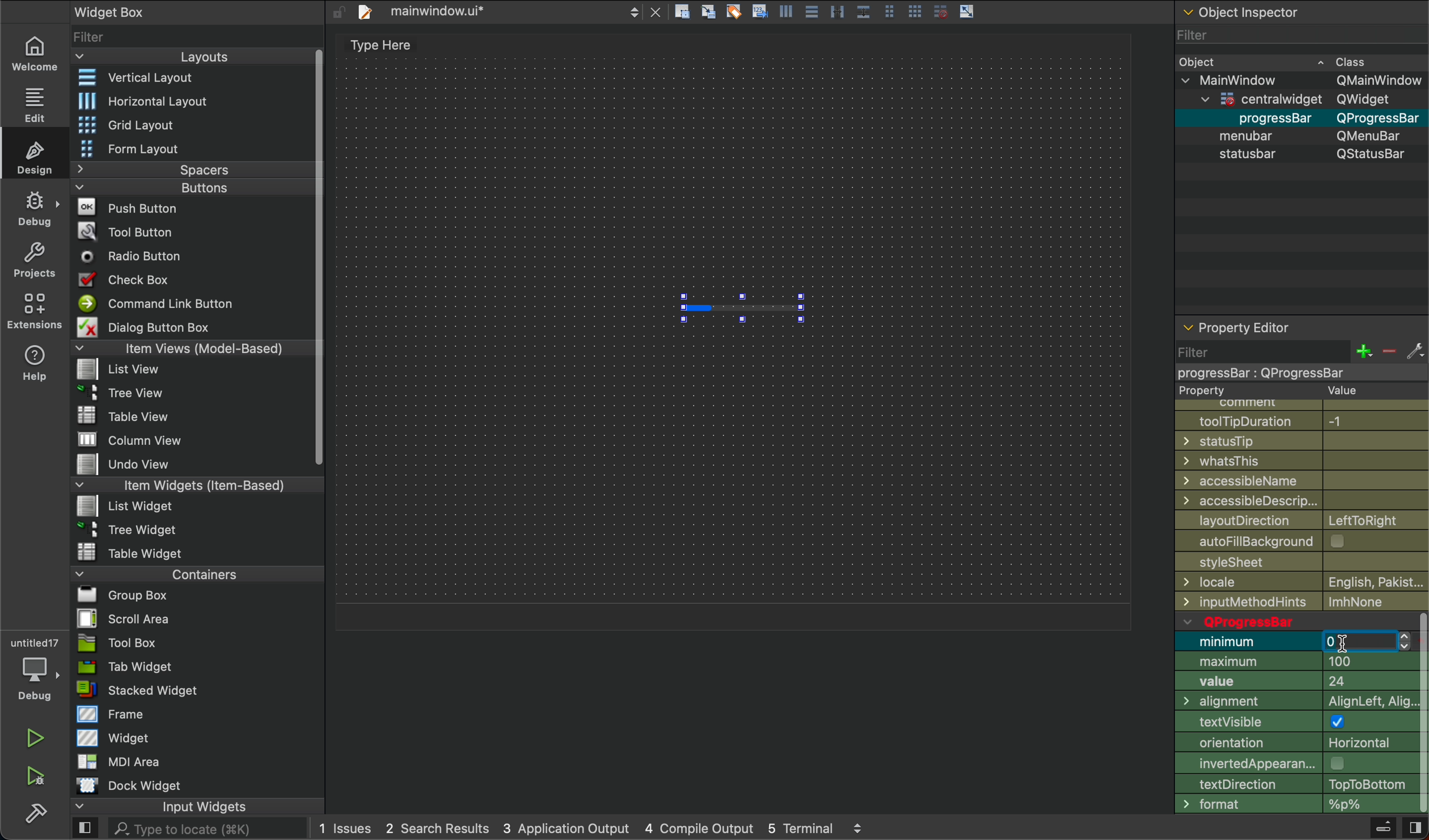 This screenshot has width=1429, height=840. I want to click on File, so click(129, 415).